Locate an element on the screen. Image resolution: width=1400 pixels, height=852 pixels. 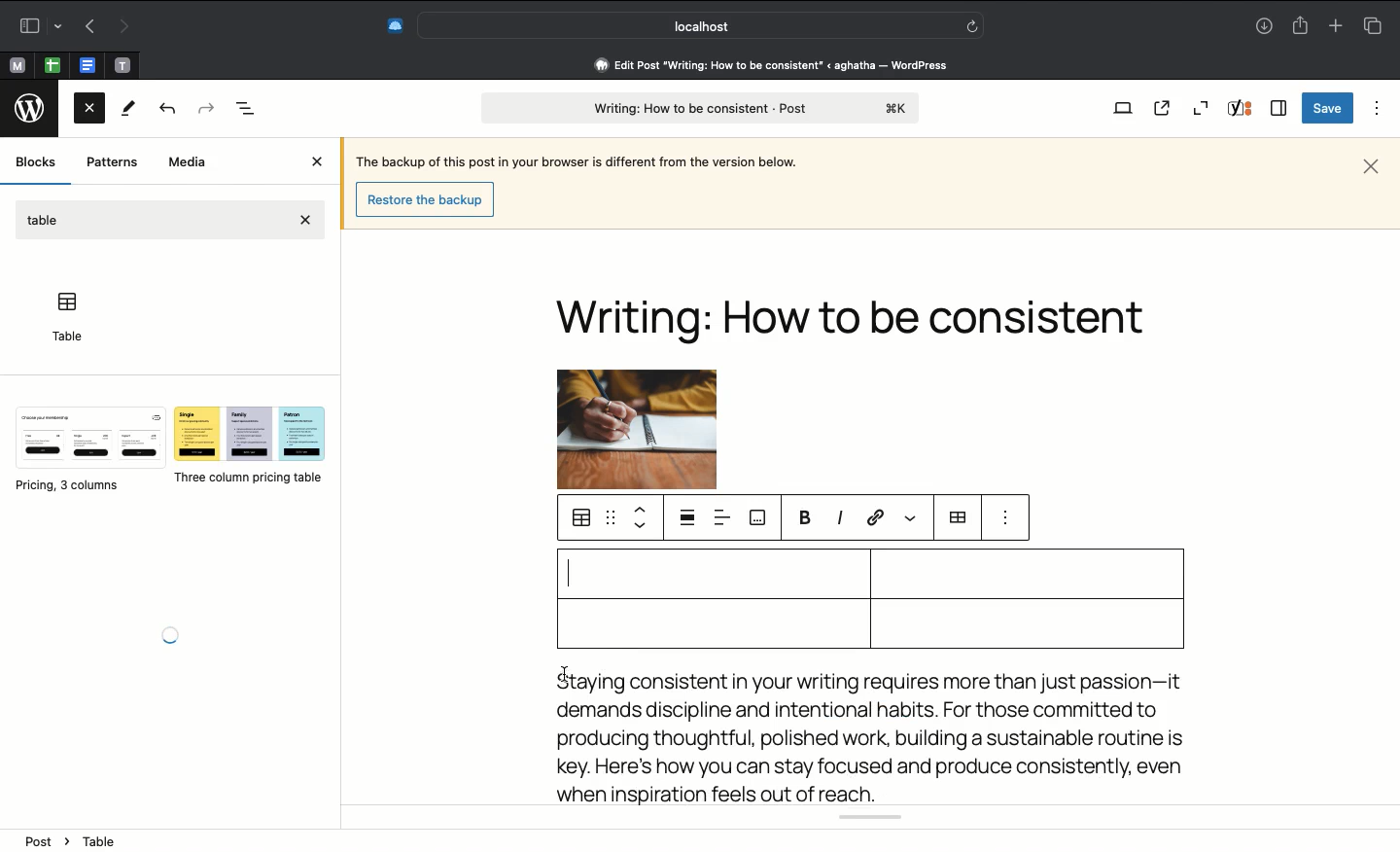
Share is located at coordinates (1302, 26).